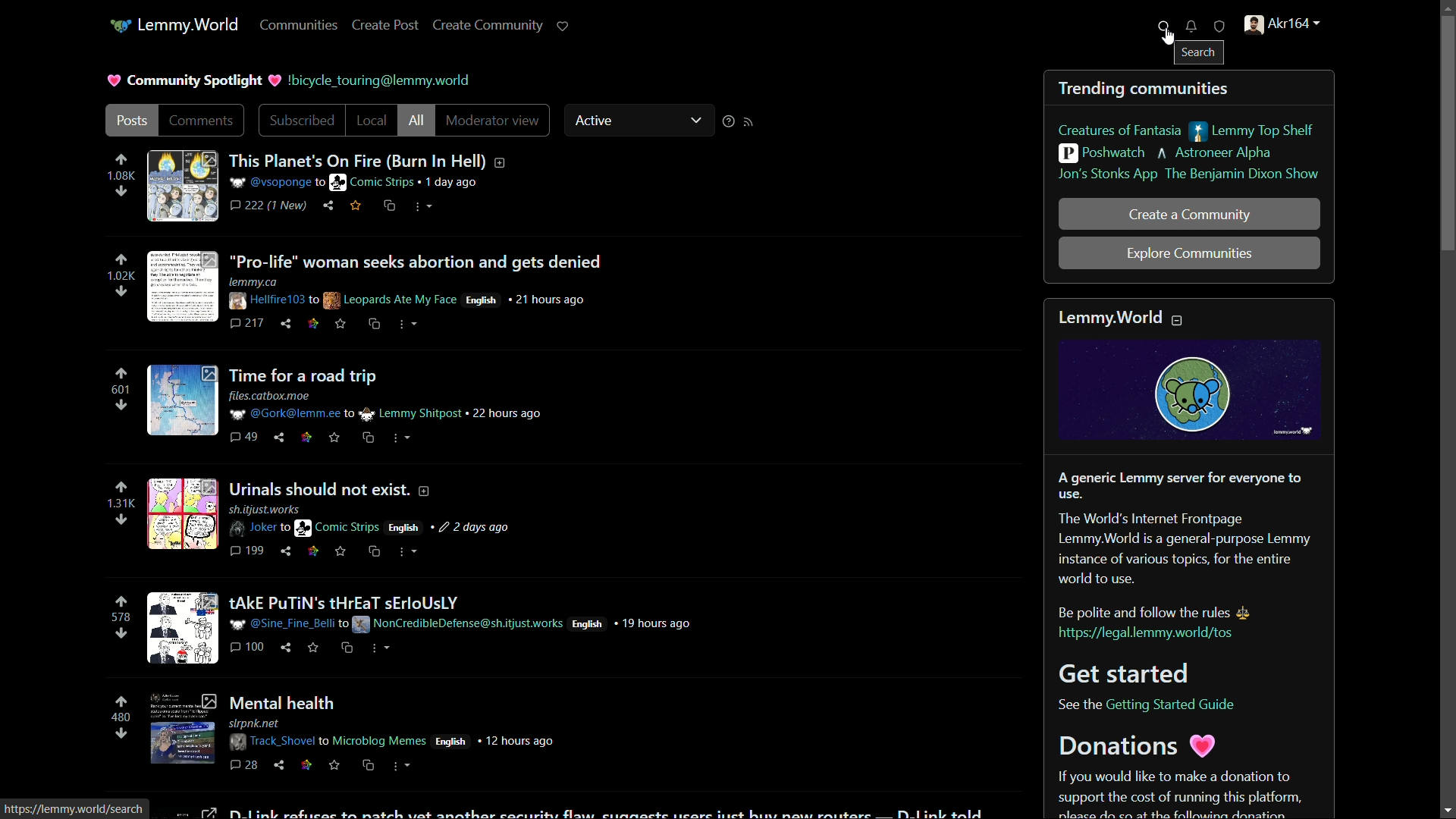 Image resolution: width=1456 pixels, height=819 pixels. What do you see at coordinates (1280, 24) in the screenshot?
I see `profile` at bounding box center [1280, 24].